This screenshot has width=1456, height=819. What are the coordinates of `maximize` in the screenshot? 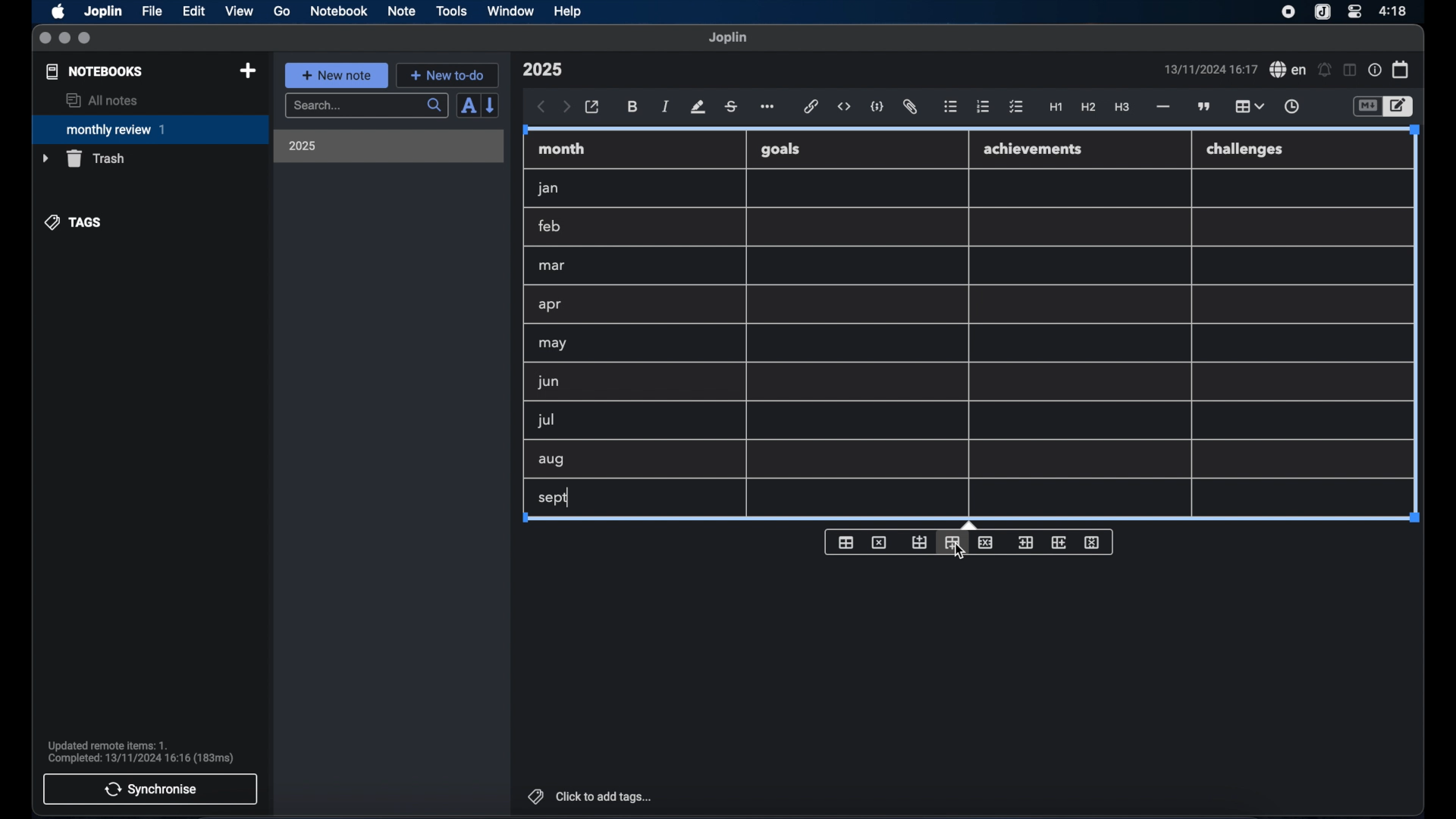 It's located at (86, 39).